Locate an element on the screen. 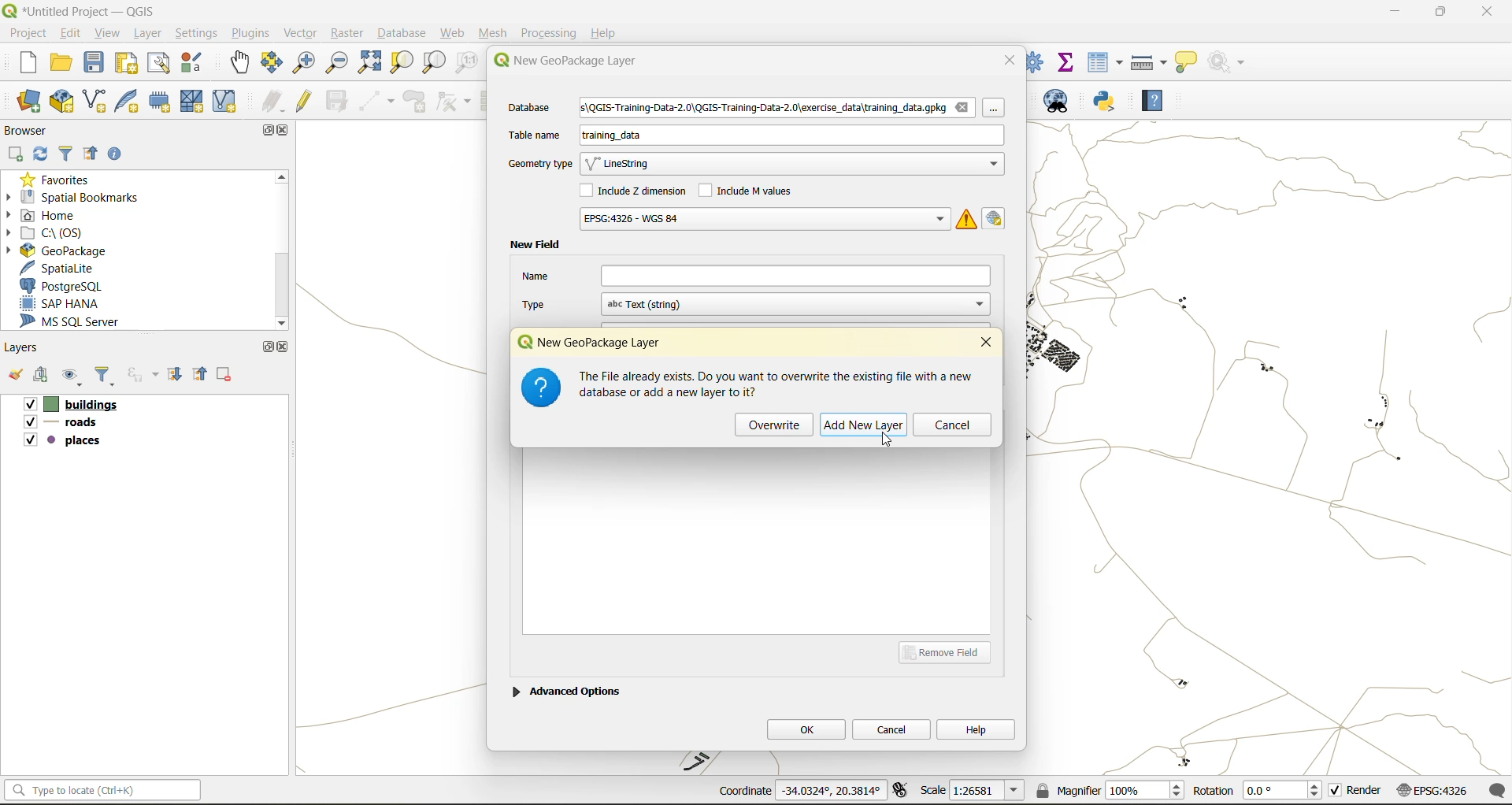 The width and height of the screenshot is (1512, 805). filter is located at coordinates (108, 377).